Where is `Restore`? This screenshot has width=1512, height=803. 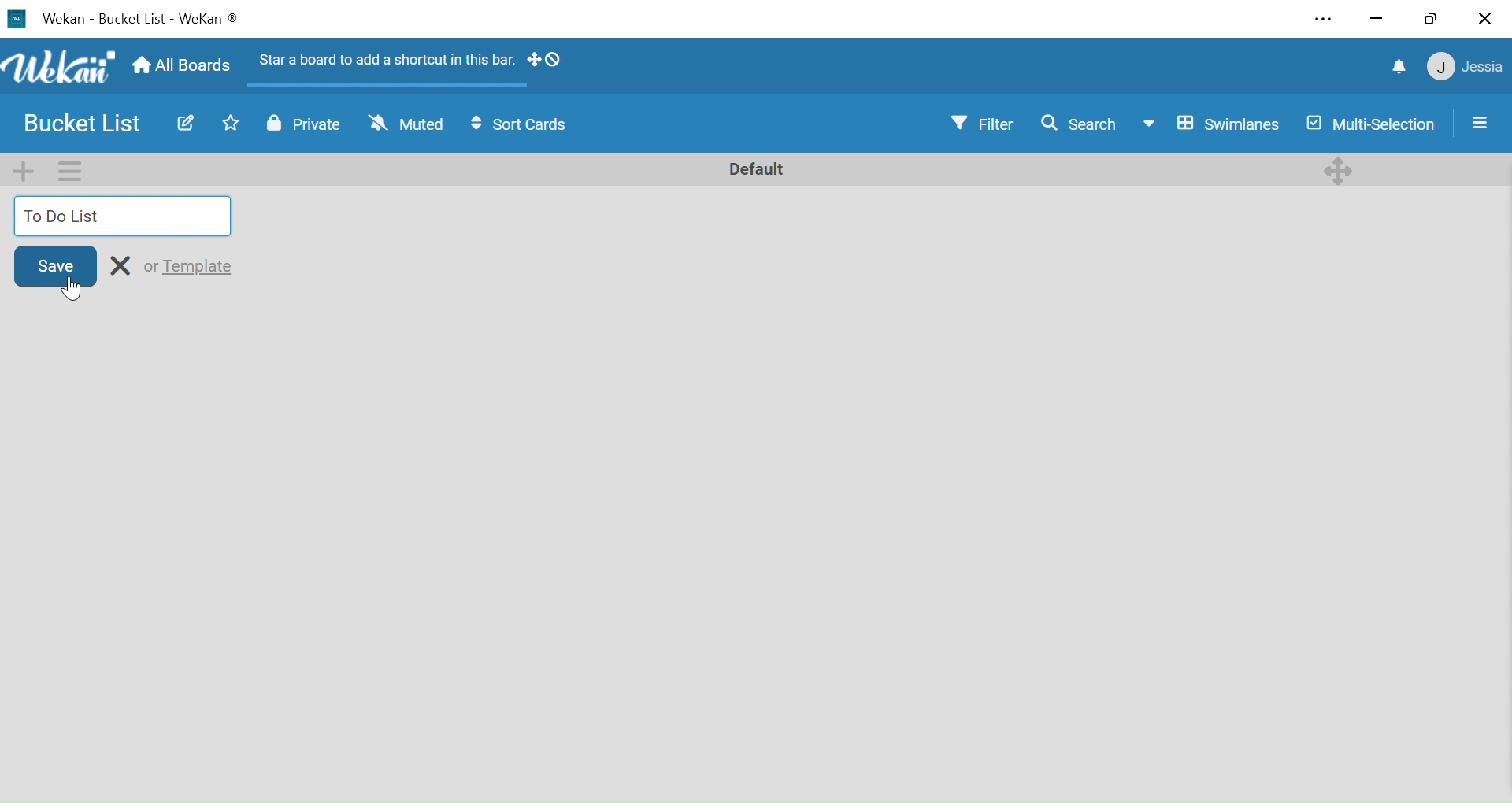 Restore is located at coordinates (1430, 19).